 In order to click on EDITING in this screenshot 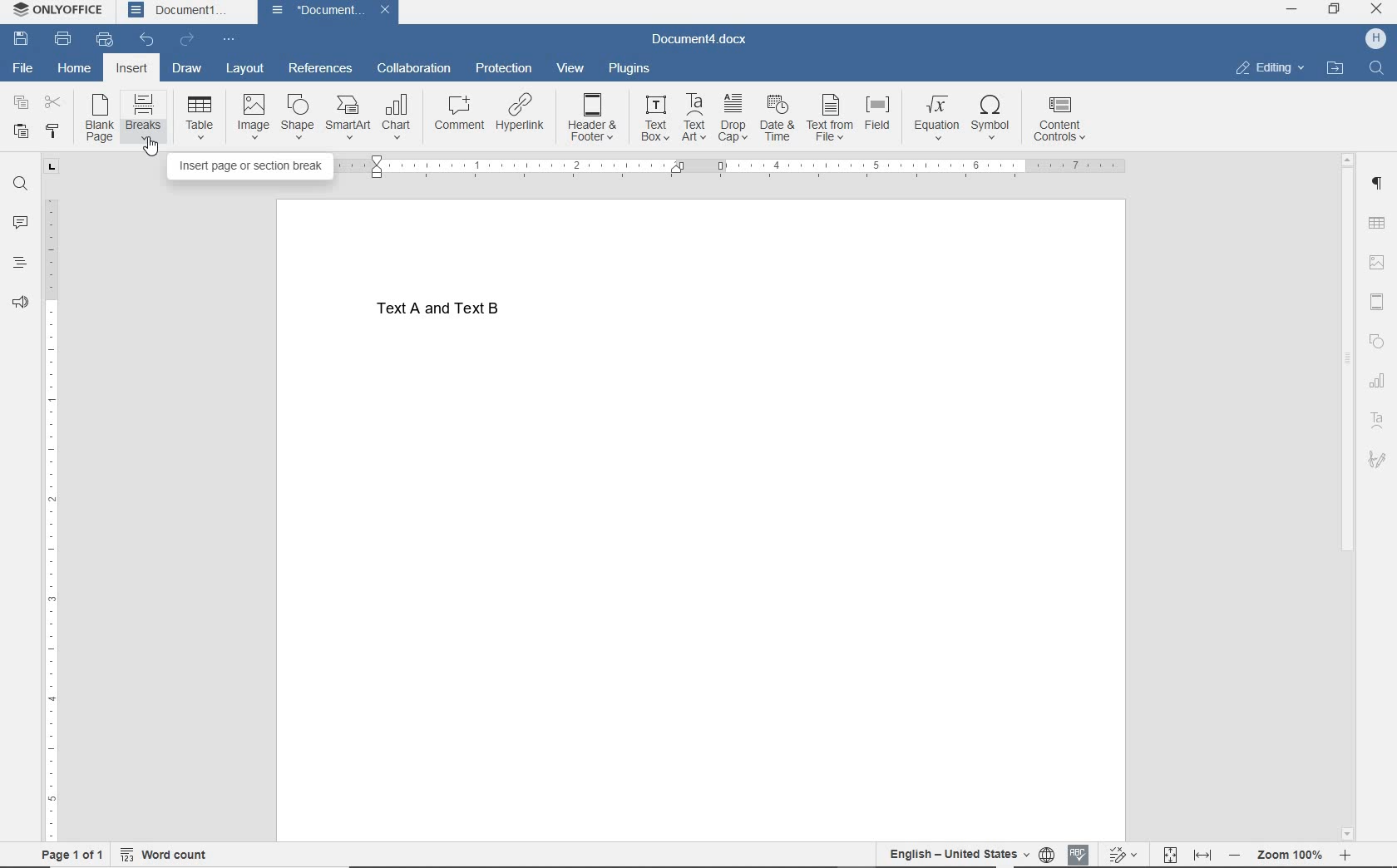, I will do `click(1270, 69)`.